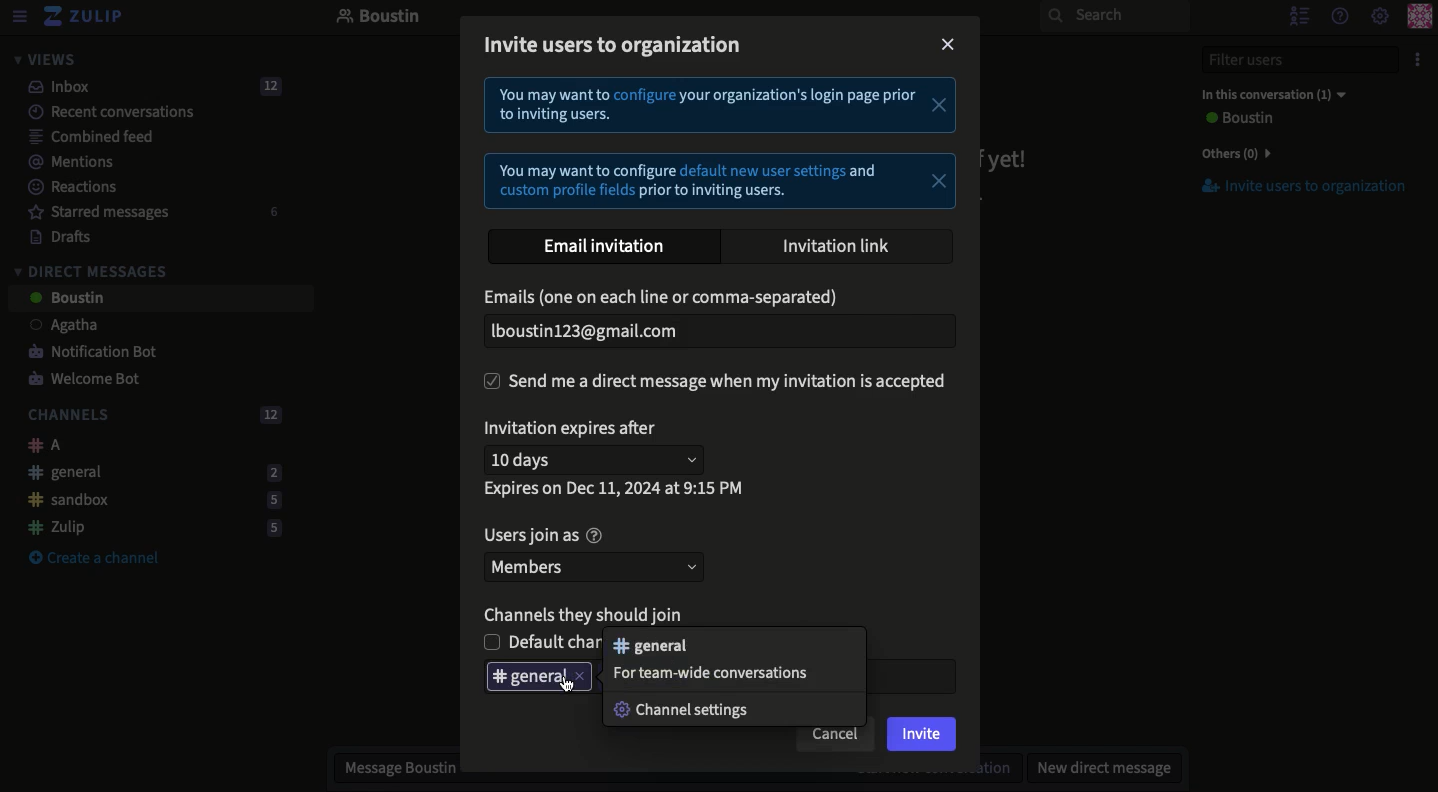 Image resolution: width=1438 pixels, height=792 pixels. What do you see at coordinates (85, 353) in the screenshot?
I see `Notification bot` at bounding box center [85, 353].